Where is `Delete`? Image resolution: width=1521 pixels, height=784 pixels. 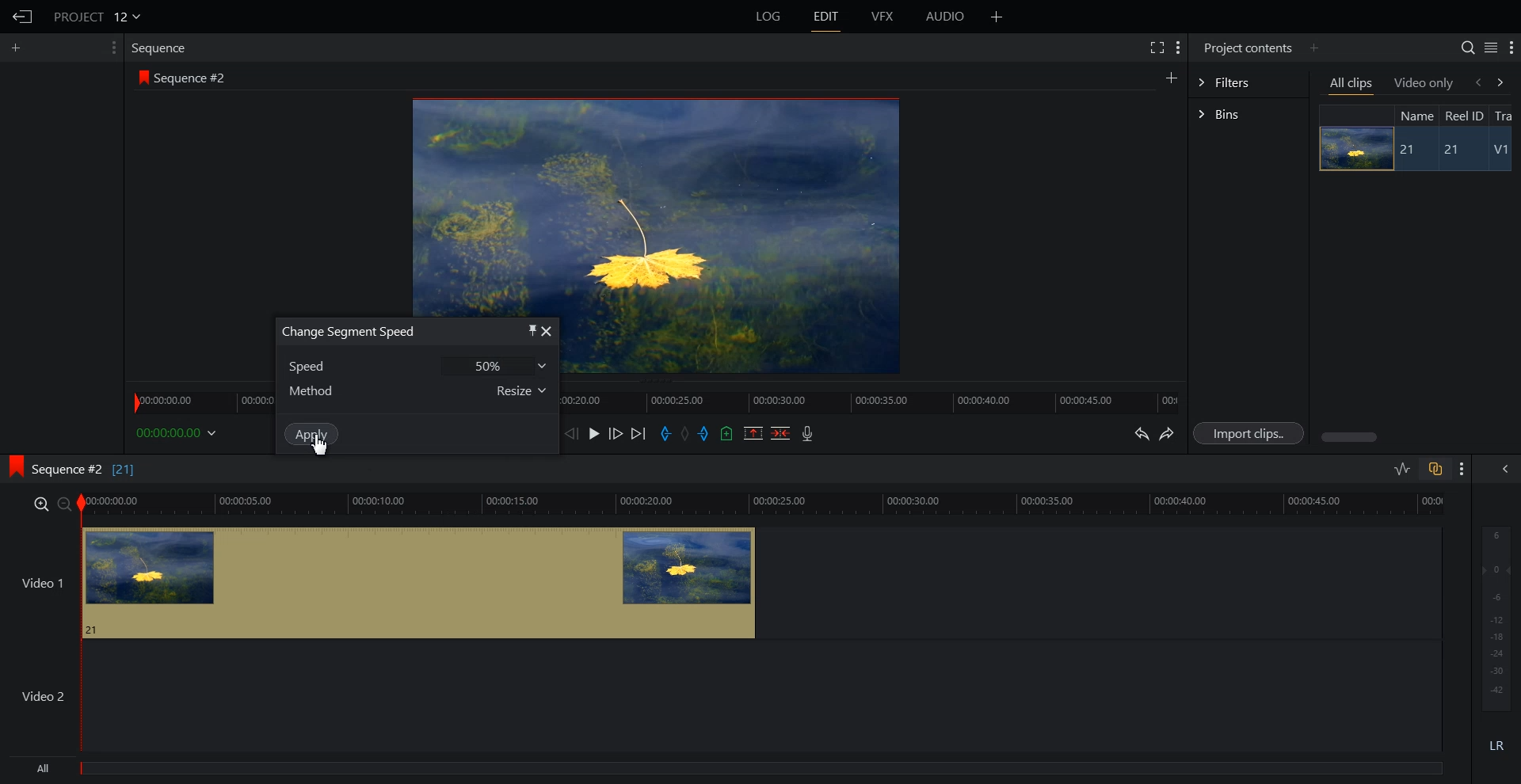 Delete is located at coordinates (781, 433).